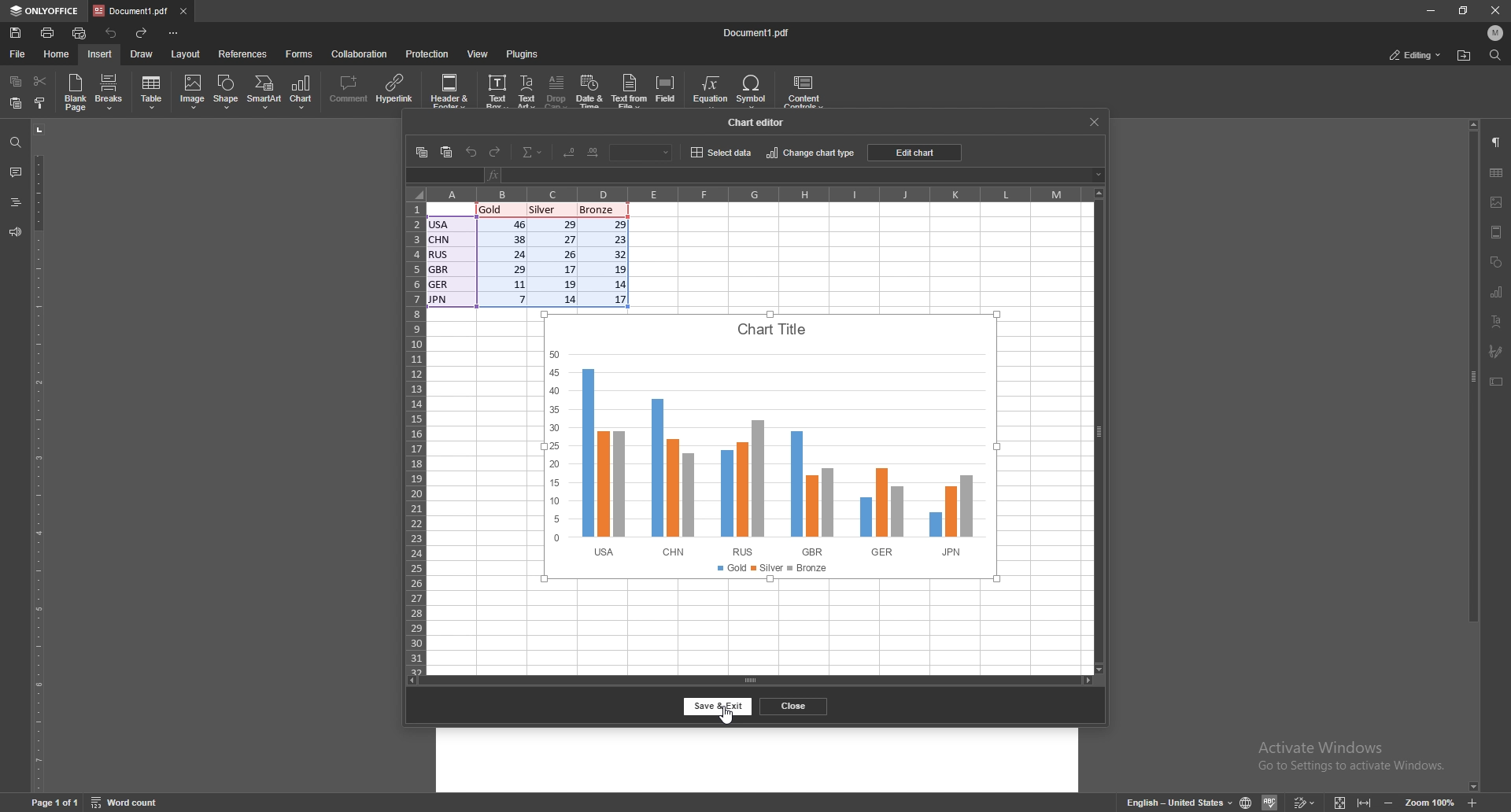 This screenshot has width=1511, height=812. I want to click on home, so click(57, 54).